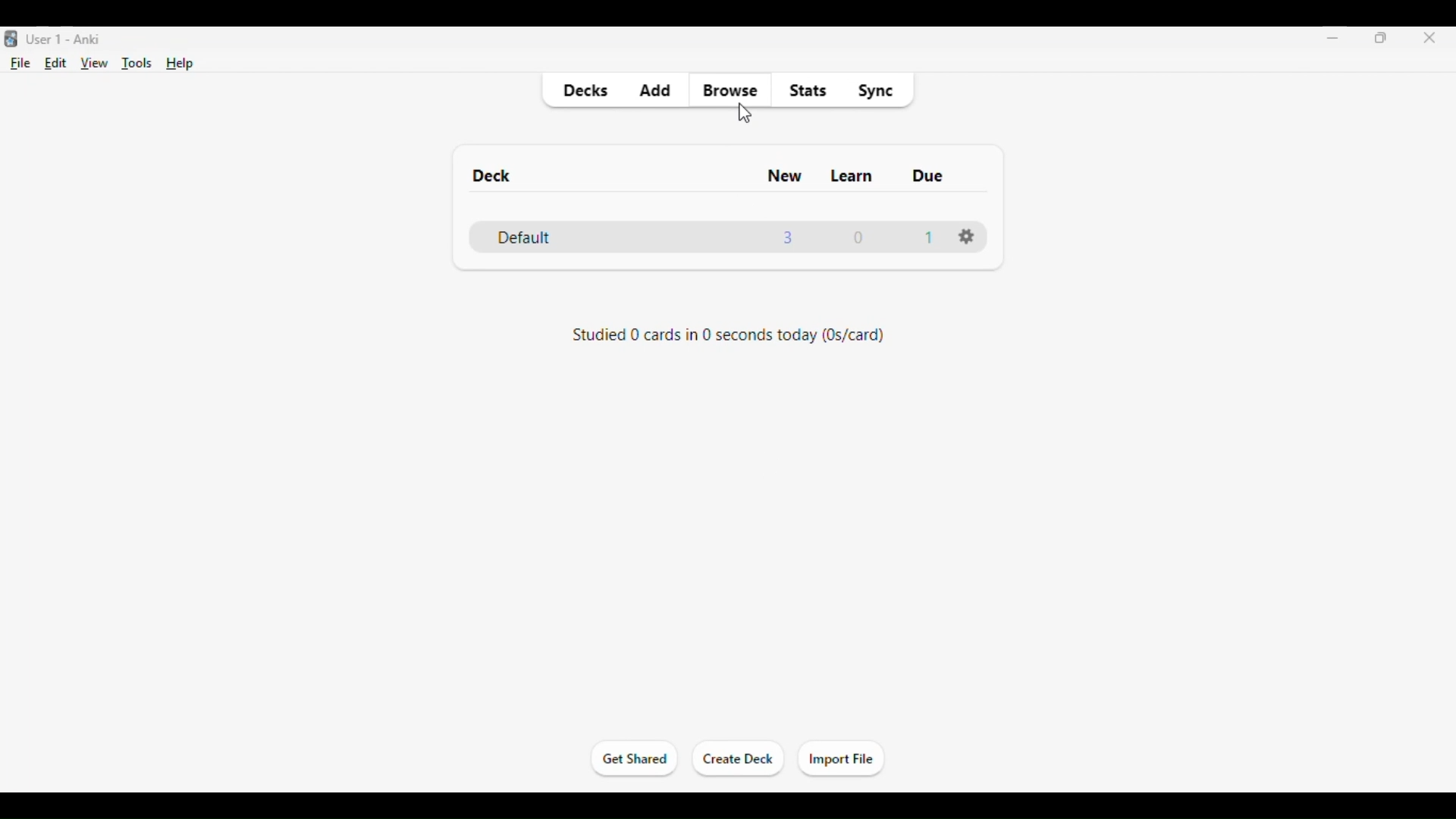 This screenshot has height=819, width=1456. Describe the element at coordinates (965, 237) in the screenshot. I see `options` at that location.